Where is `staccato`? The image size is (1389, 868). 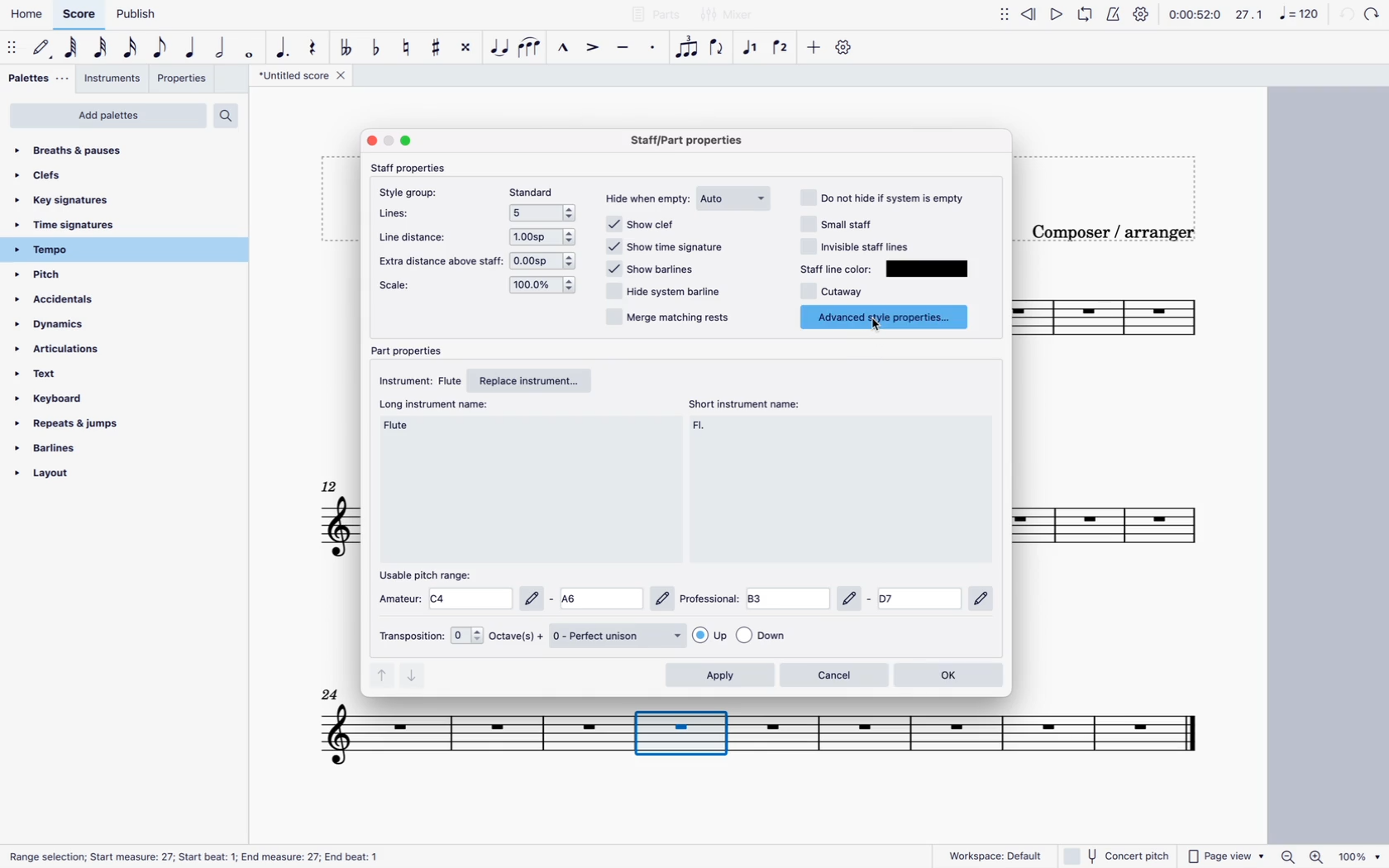
staccato is located at coordinates (654, 48).